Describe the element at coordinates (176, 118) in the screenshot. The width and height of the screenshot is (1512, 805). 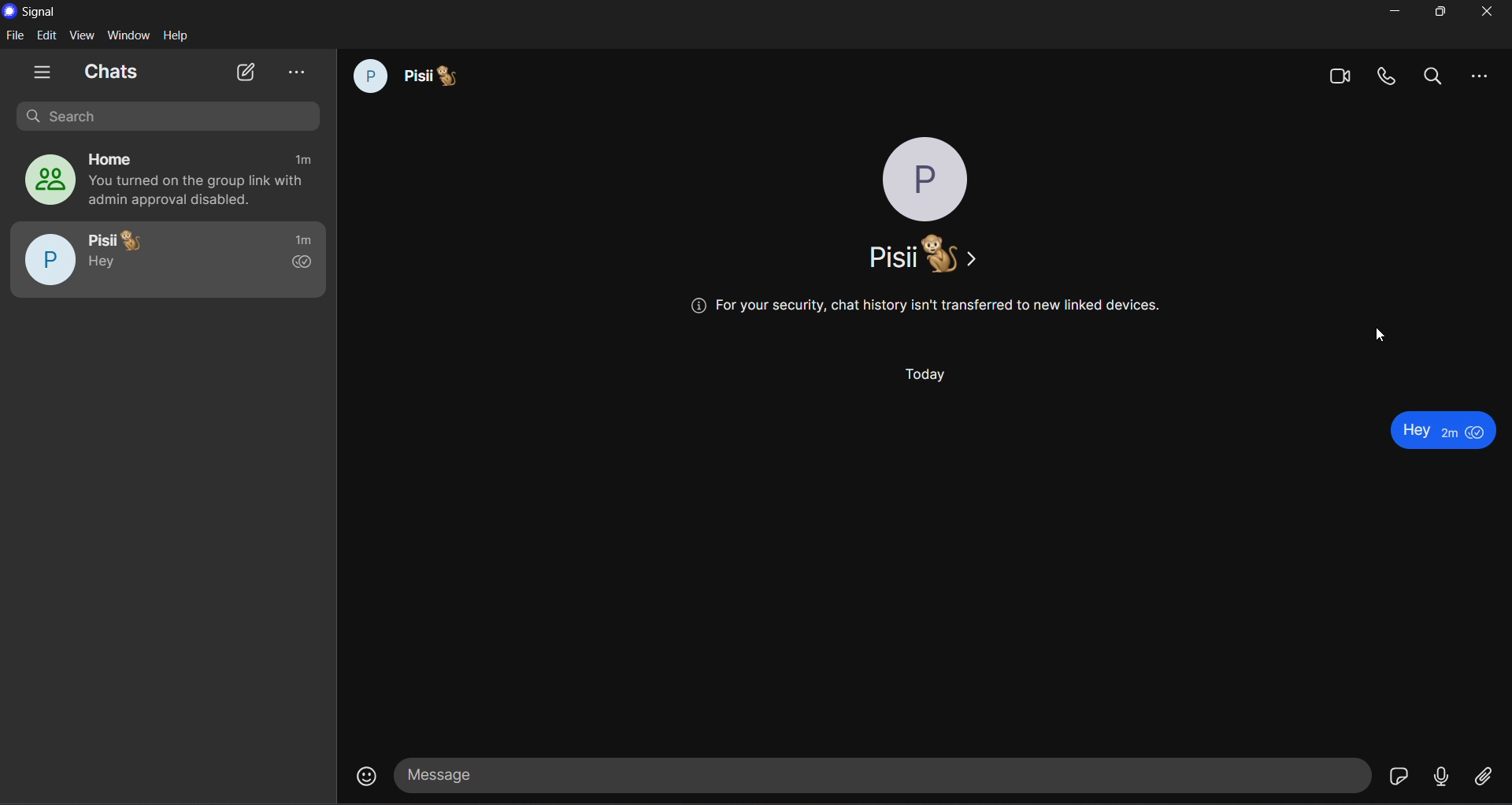
I see `search` at that location.